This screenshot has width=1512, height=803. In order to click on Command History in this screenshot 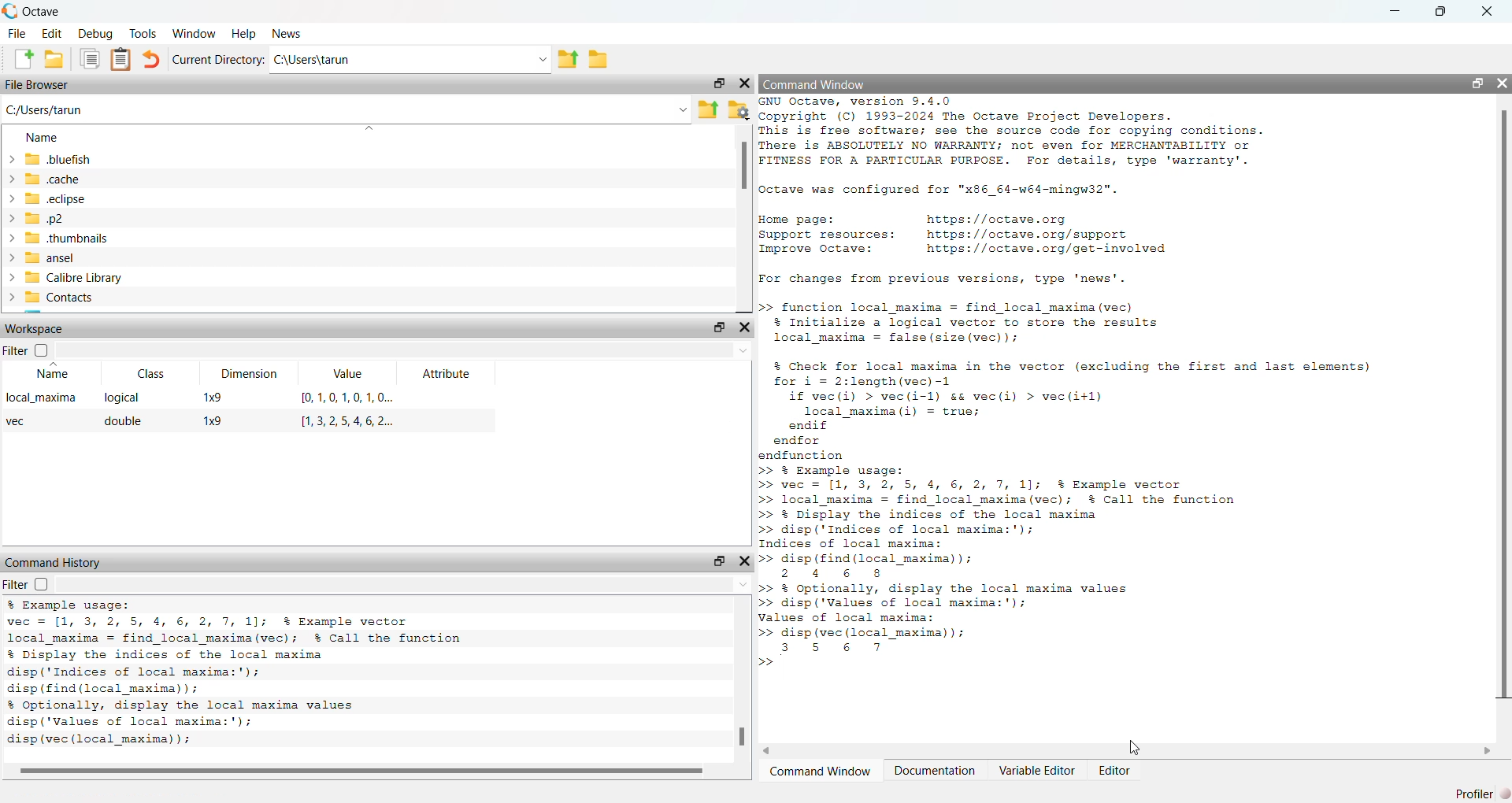, I will do `click(55, 563)`.